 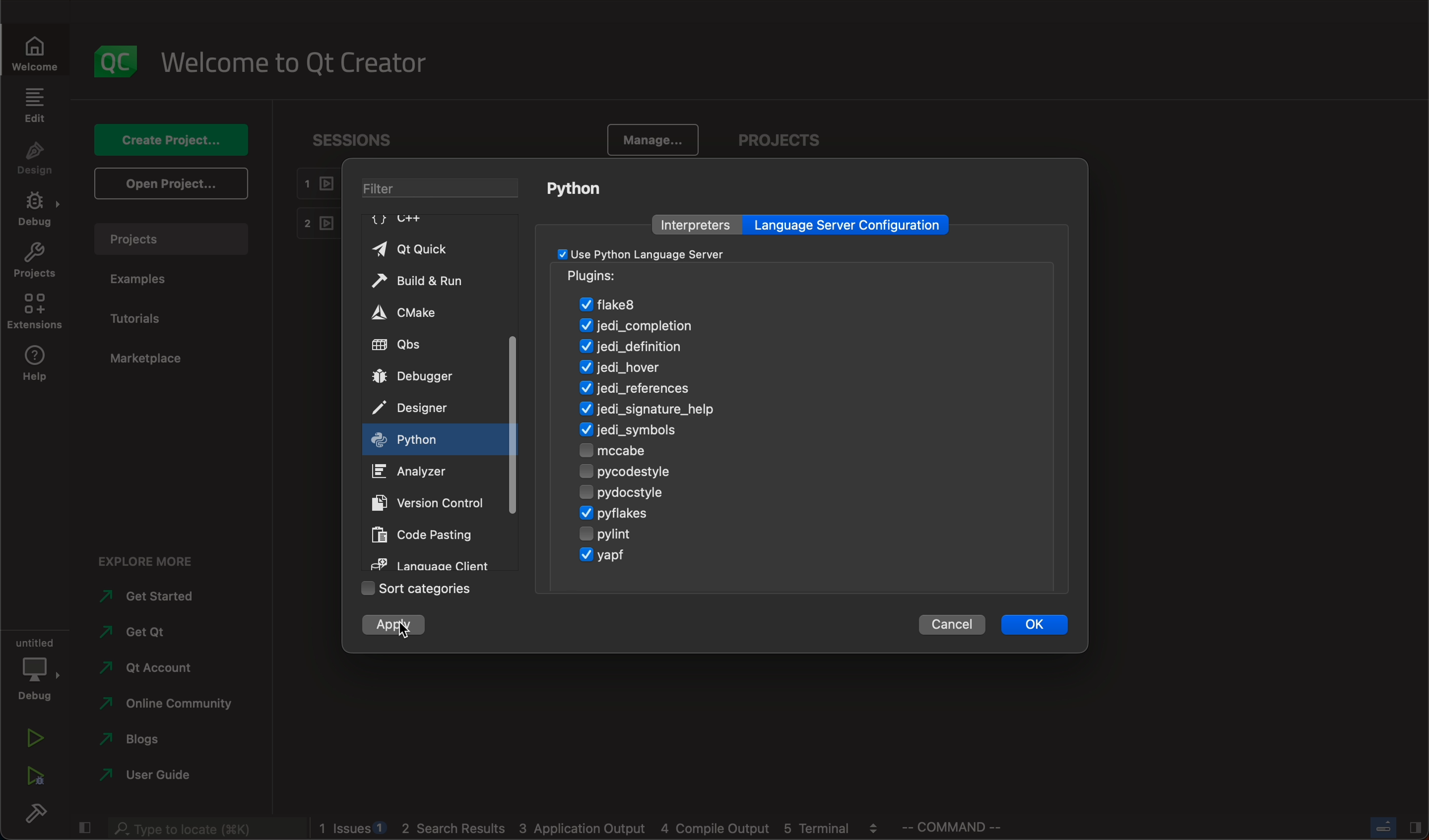 I want to click on mccabe, so click(x=642, y=451).